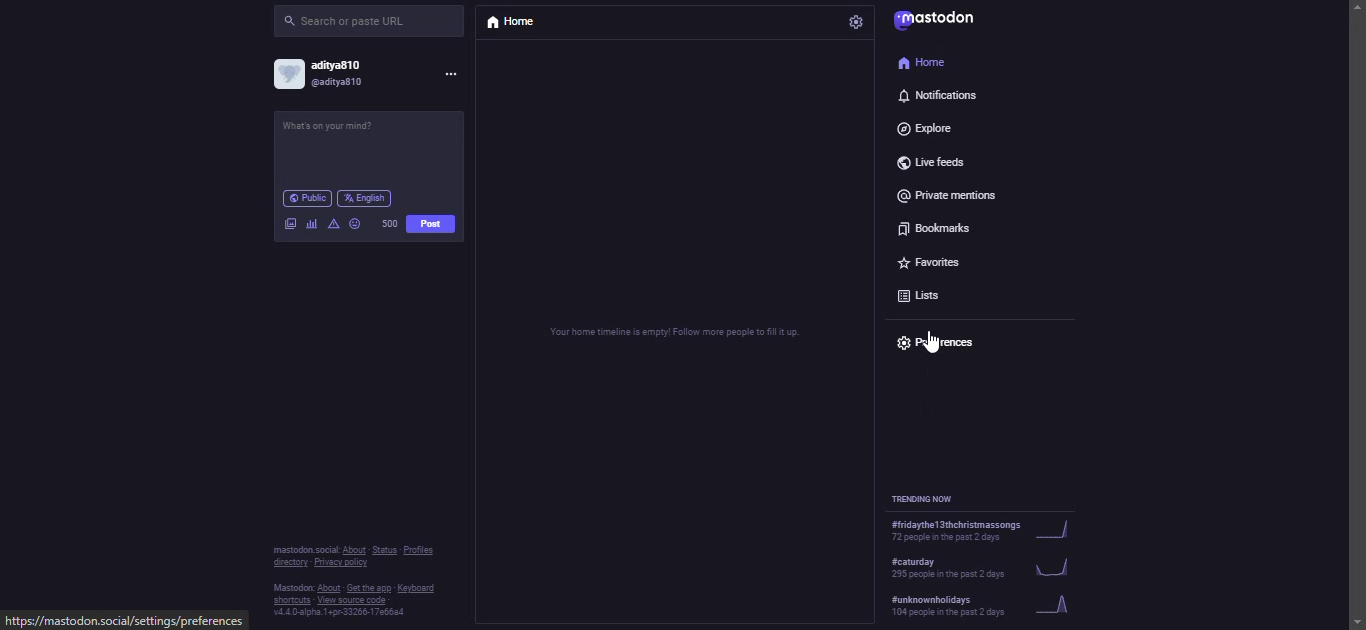  I want to click on search, so click(355, 21).